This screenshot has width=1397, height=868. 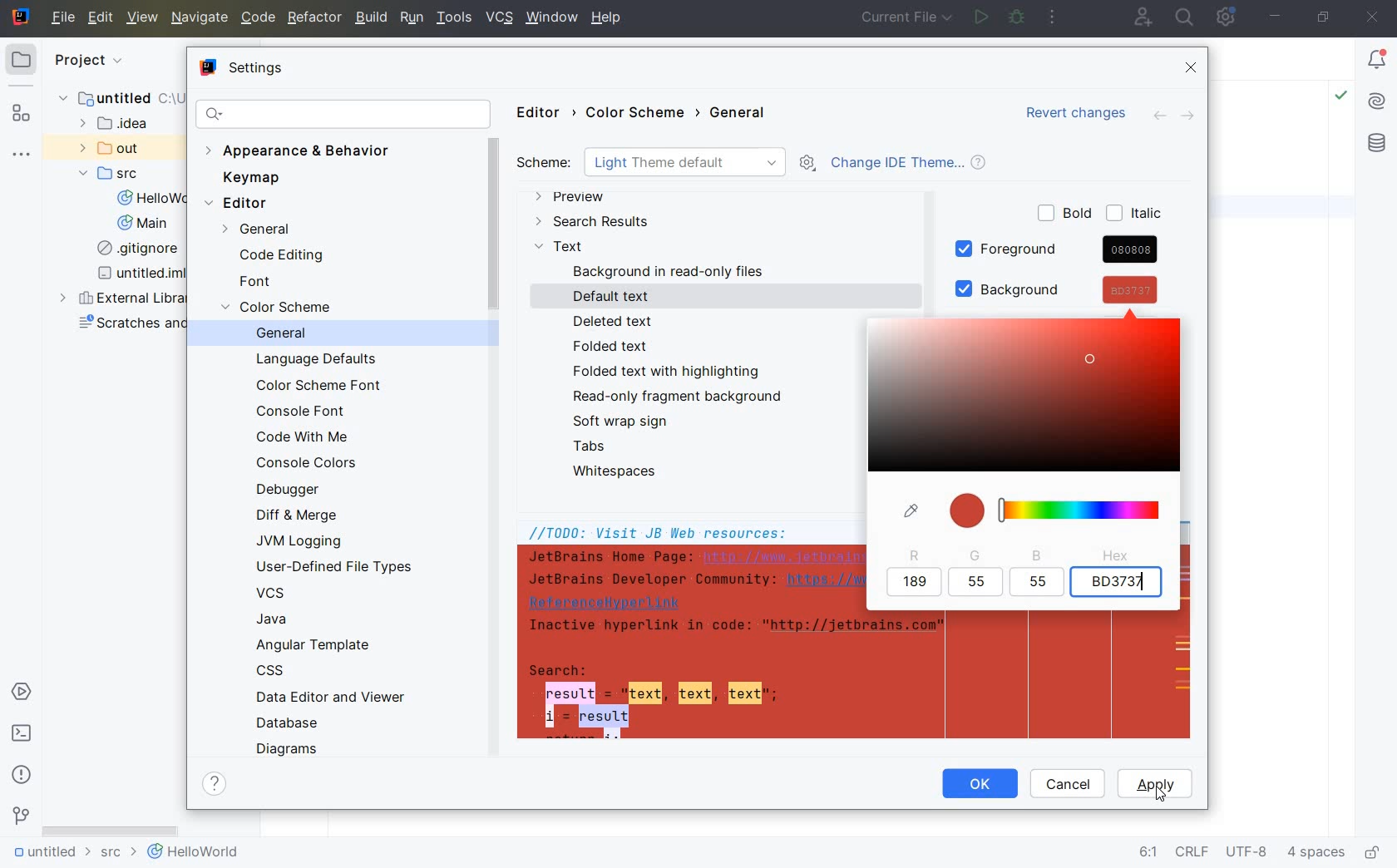 What do you see at coordinates (20, 17) in the screenshot?
I see `system name` at bounding box center [20, 17].